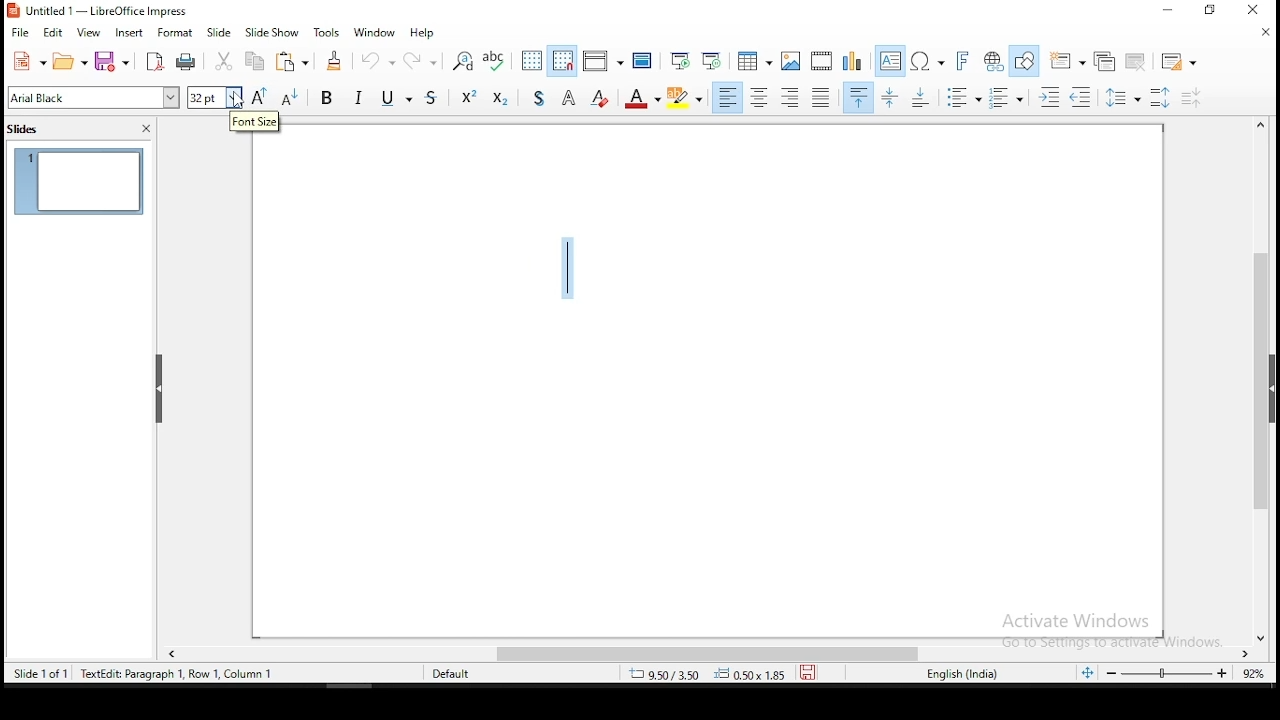 This screenshot has height=720, width=1280. Describe the element at coordinates (1163, 97) in the screenshot. I see `Increase Line Spacing` at that location.